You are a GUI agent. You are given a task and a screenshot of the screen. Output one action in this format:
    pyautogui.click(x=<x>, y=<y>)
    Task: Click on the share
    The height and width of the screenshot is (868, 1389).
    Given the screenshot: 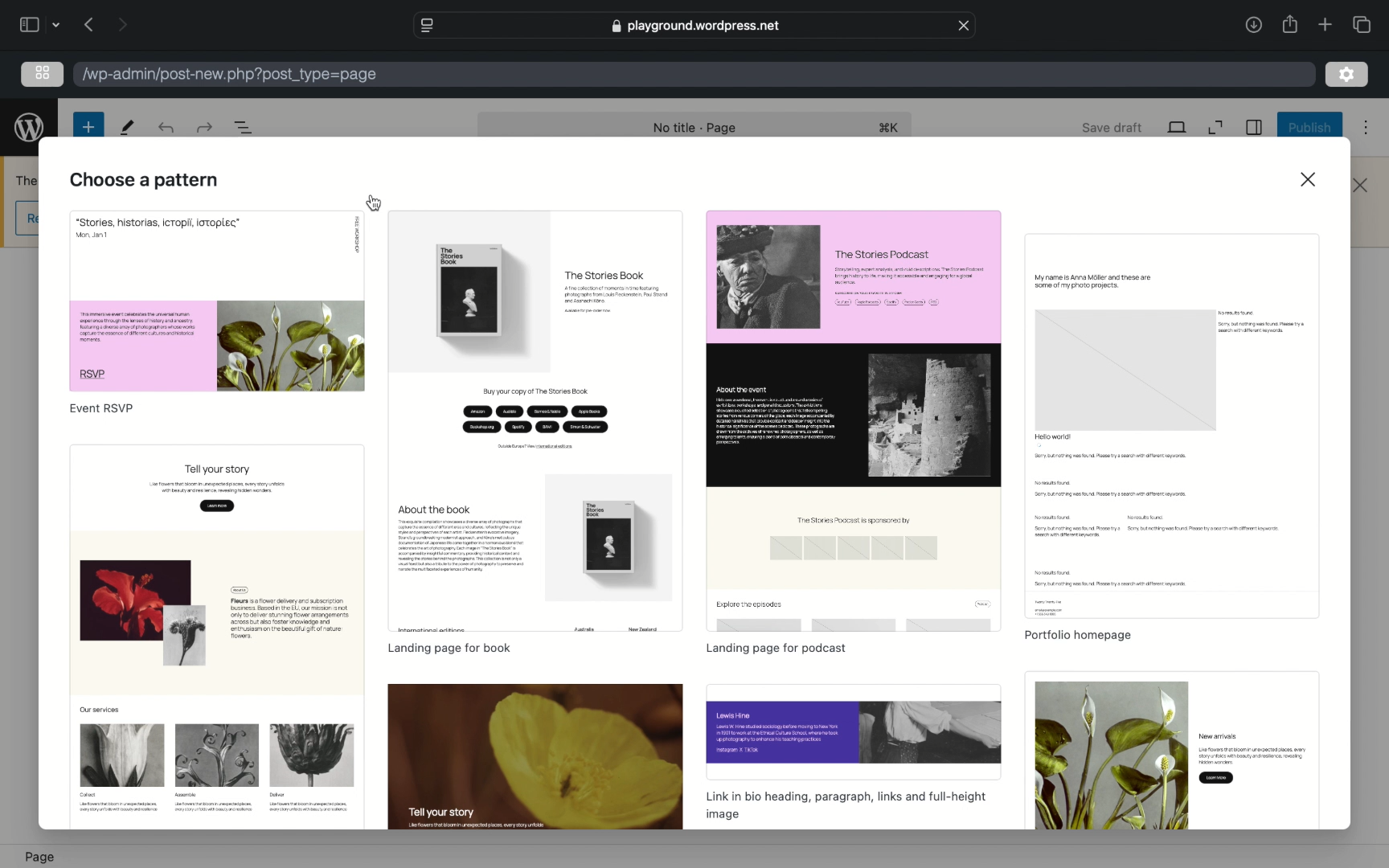 What is the action you would take?
    pyautogui.click(x=1289, y=24)
    